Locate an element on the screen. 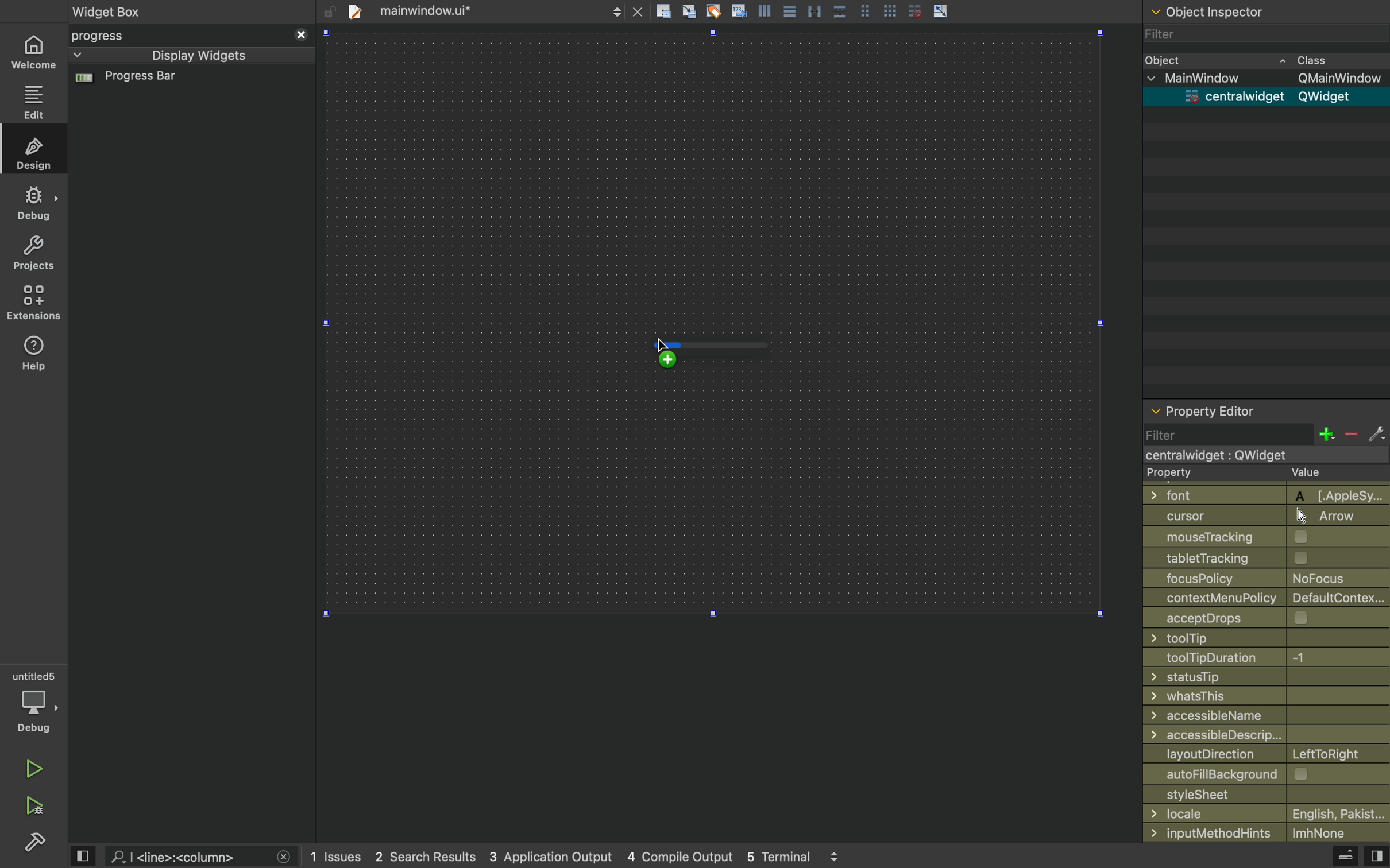  Object inspector is located at coordinates (1267, 10).